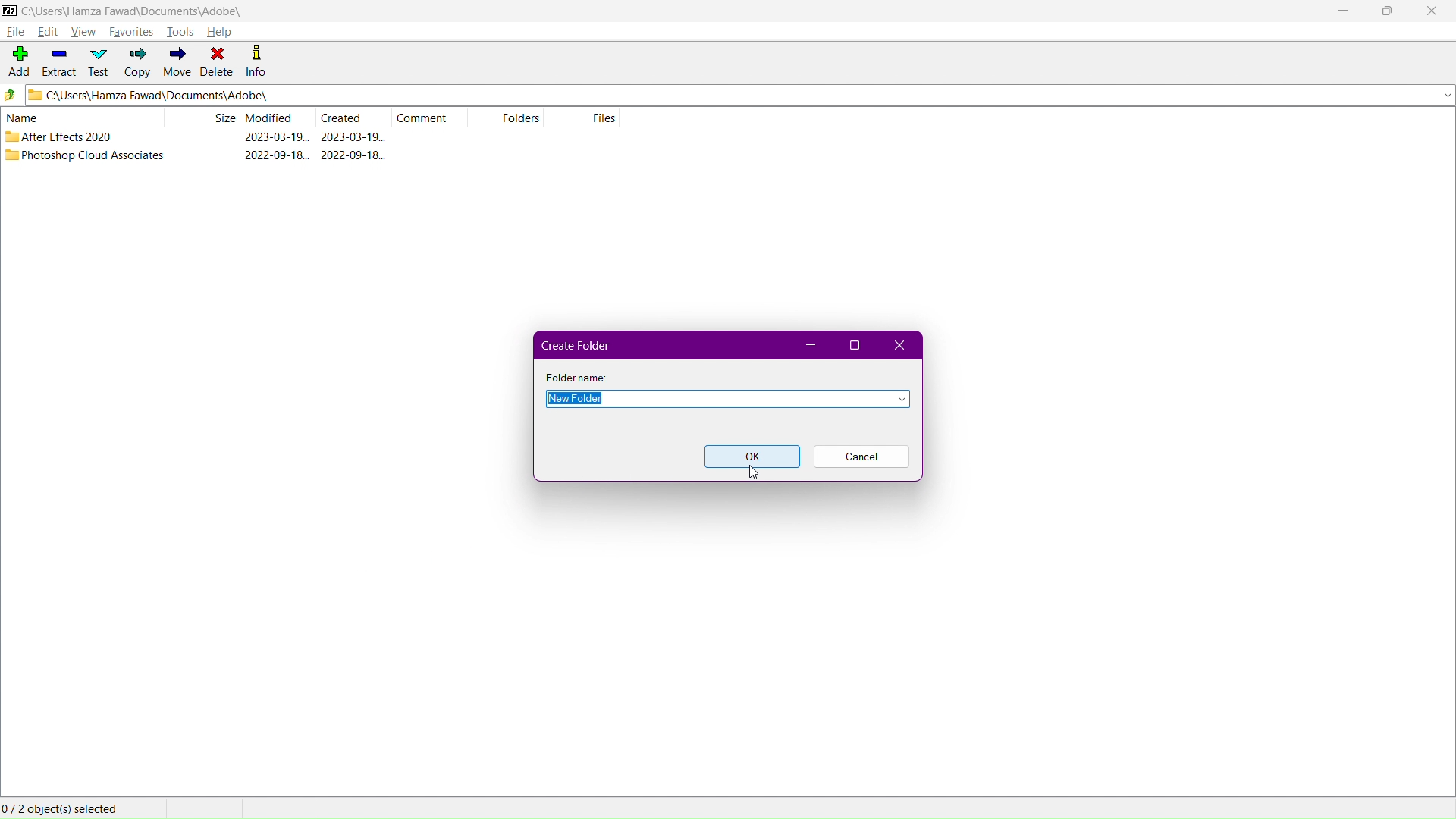 This screenshot has height=819, width=1456. What do you see at coordinates (183, 33) in the screenshot?
I see `Tools` at bounding box center [183, 33].